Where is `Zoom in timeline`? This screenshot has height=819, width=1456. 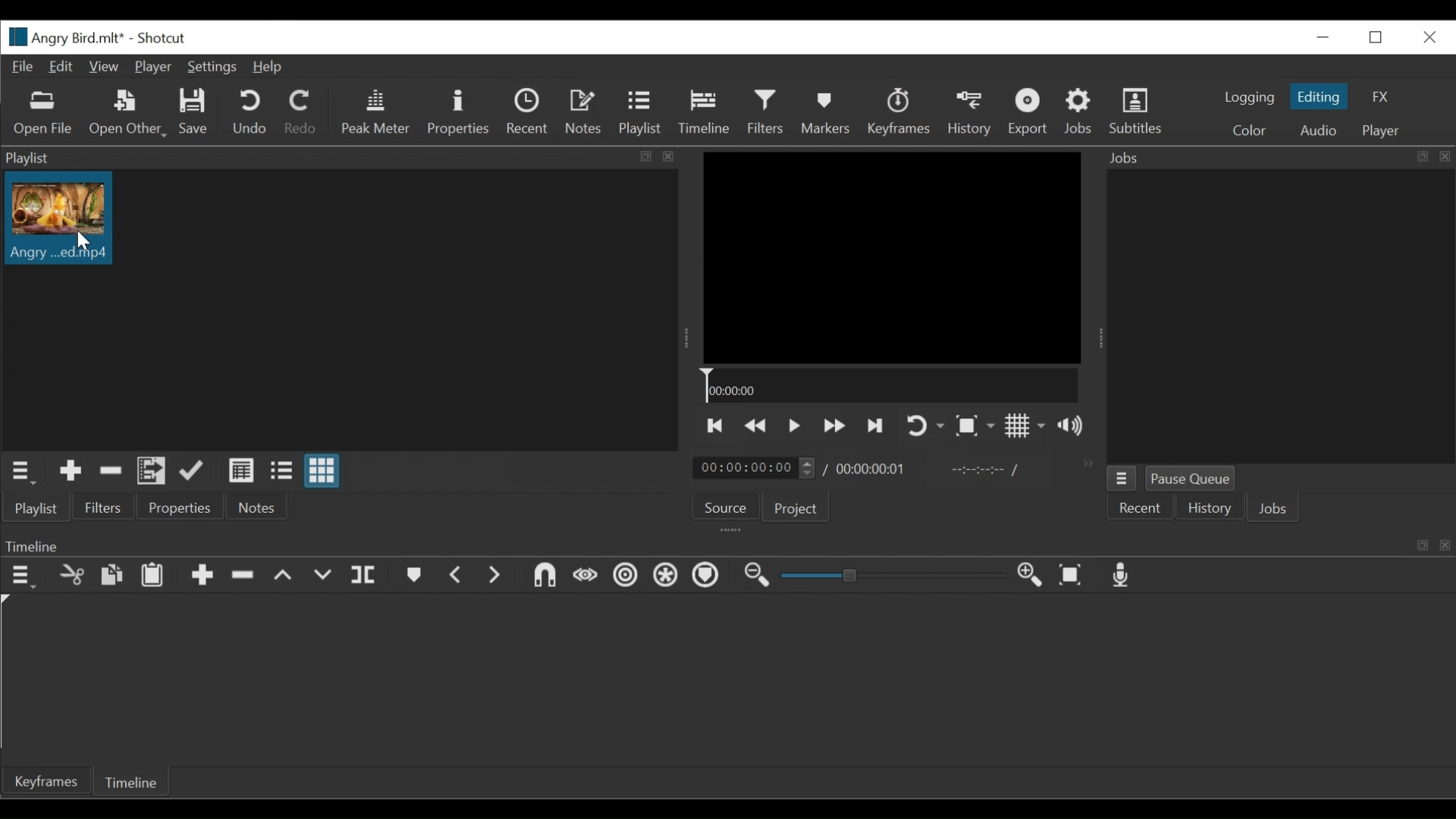
Zoom in timeline is located at coordinates (1032, 576).